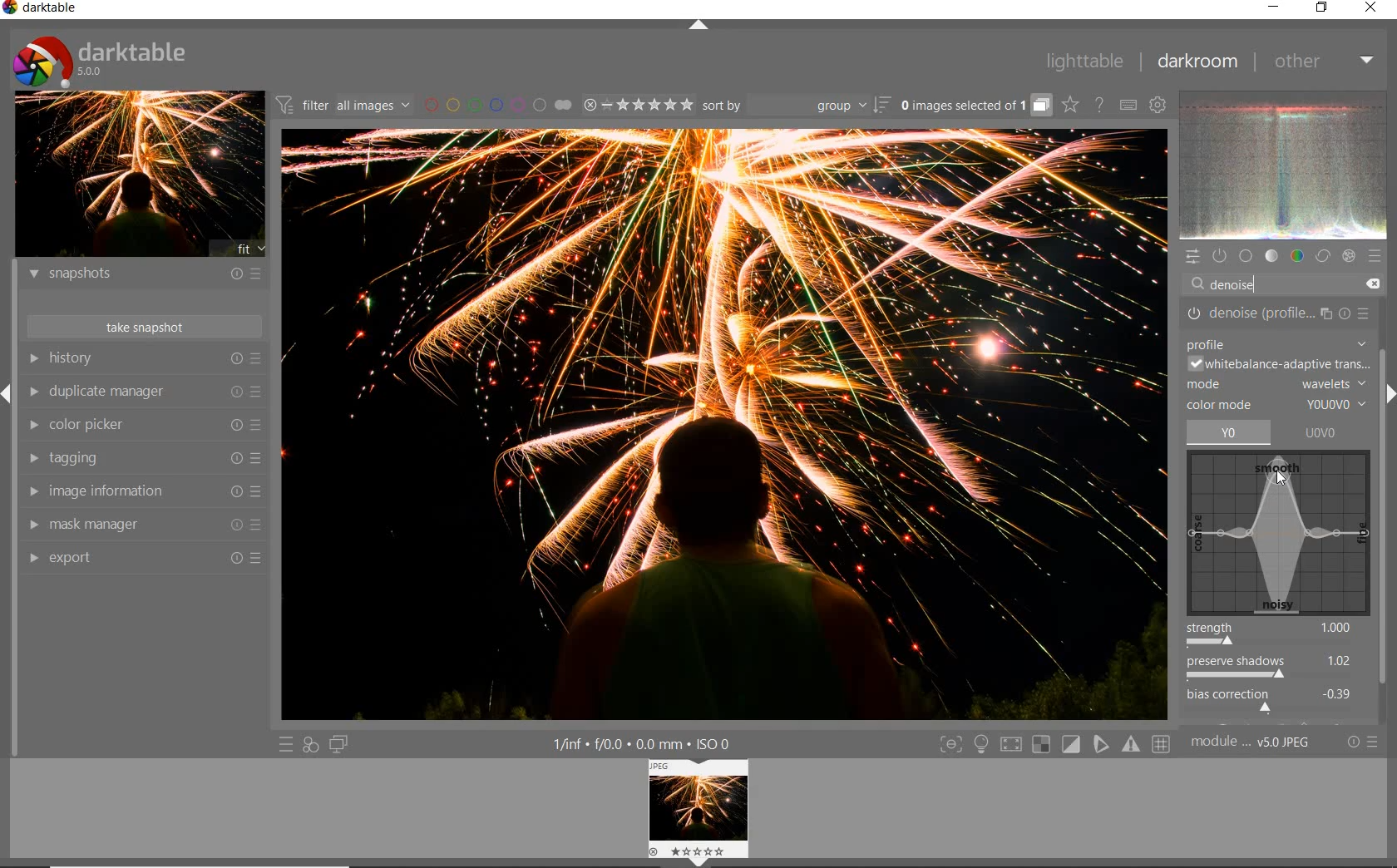 The image size is (1397, 868). I want to click on lighttable, so click(1082, 60).